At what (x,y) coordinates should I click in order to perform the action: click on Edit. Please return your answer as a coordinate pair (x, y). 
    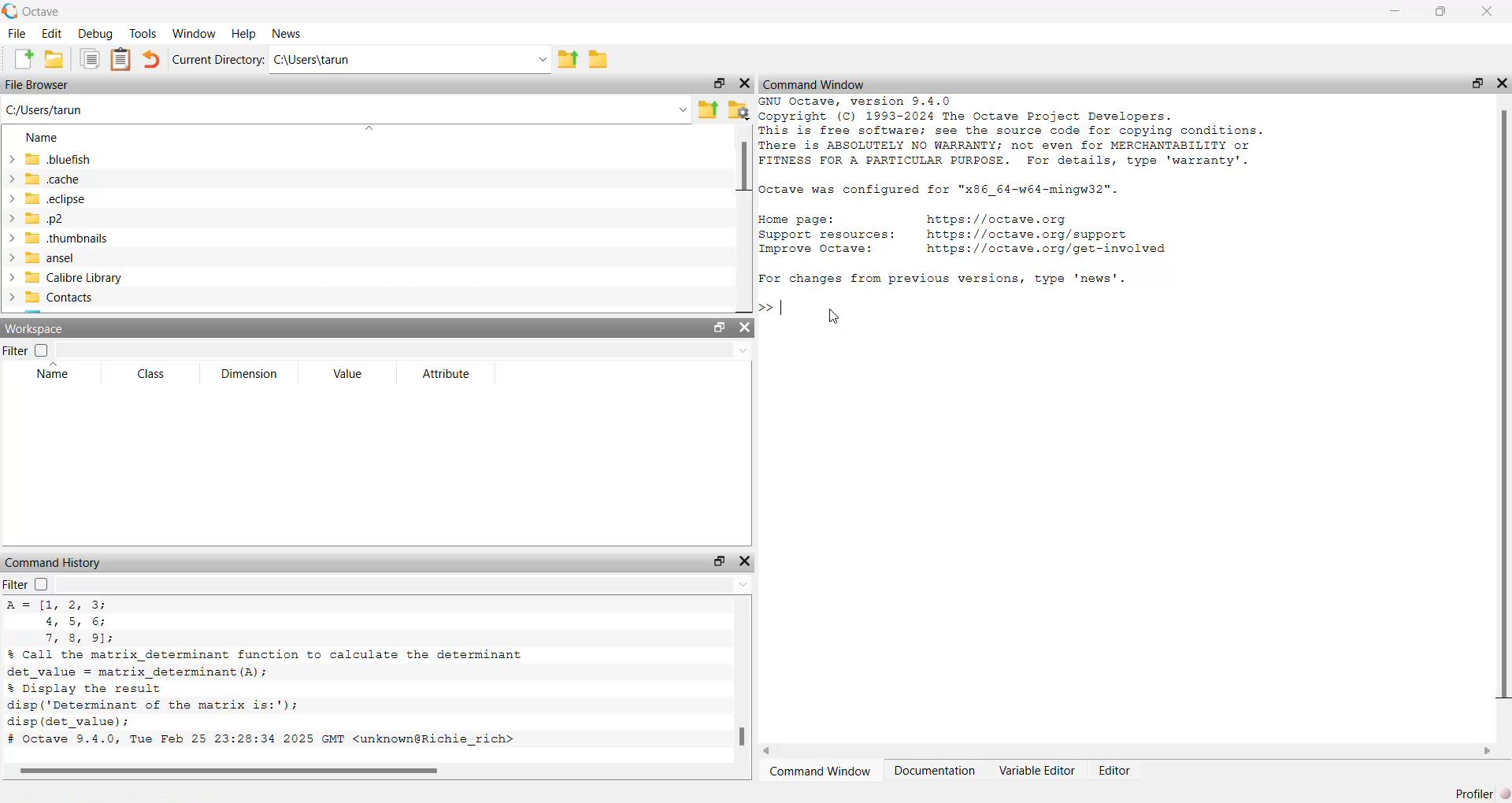
    Looking at the image, I should click on (54, 34).